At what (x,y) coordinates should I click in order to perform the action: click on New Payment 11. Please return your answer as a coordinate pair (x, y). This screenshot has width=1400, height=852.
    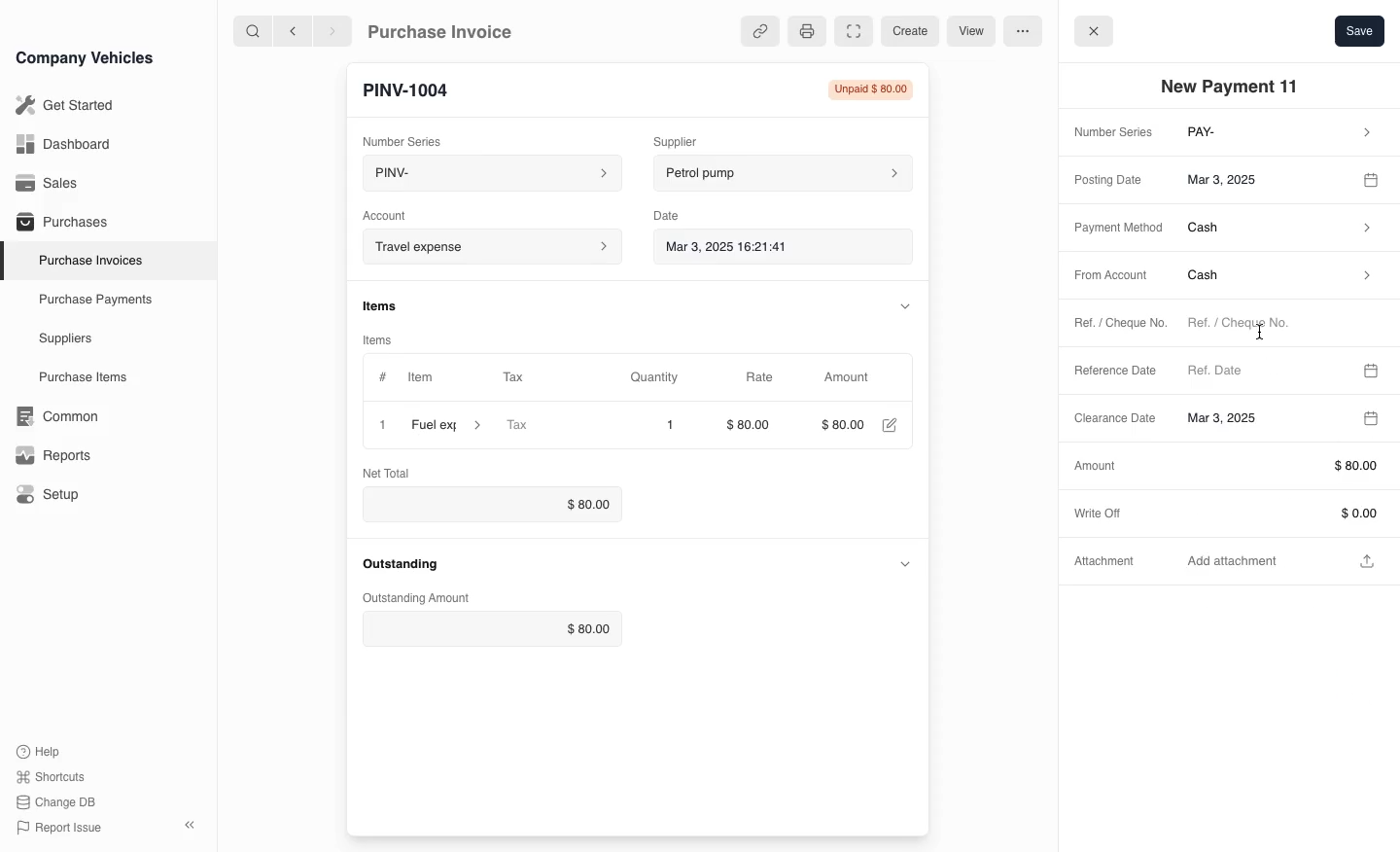
    Looking at the image, I should click on (1235, 87).